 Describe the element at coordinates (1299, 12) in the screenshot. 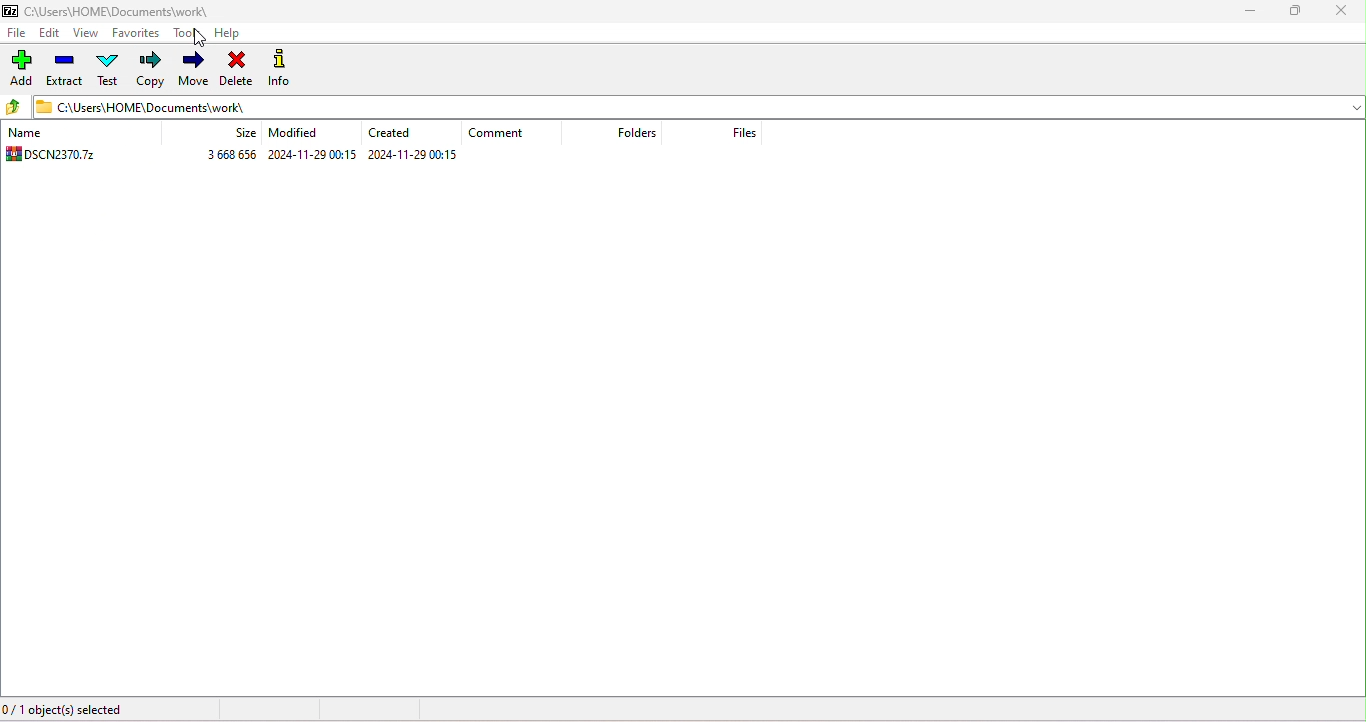

I see `maximize` at that location.